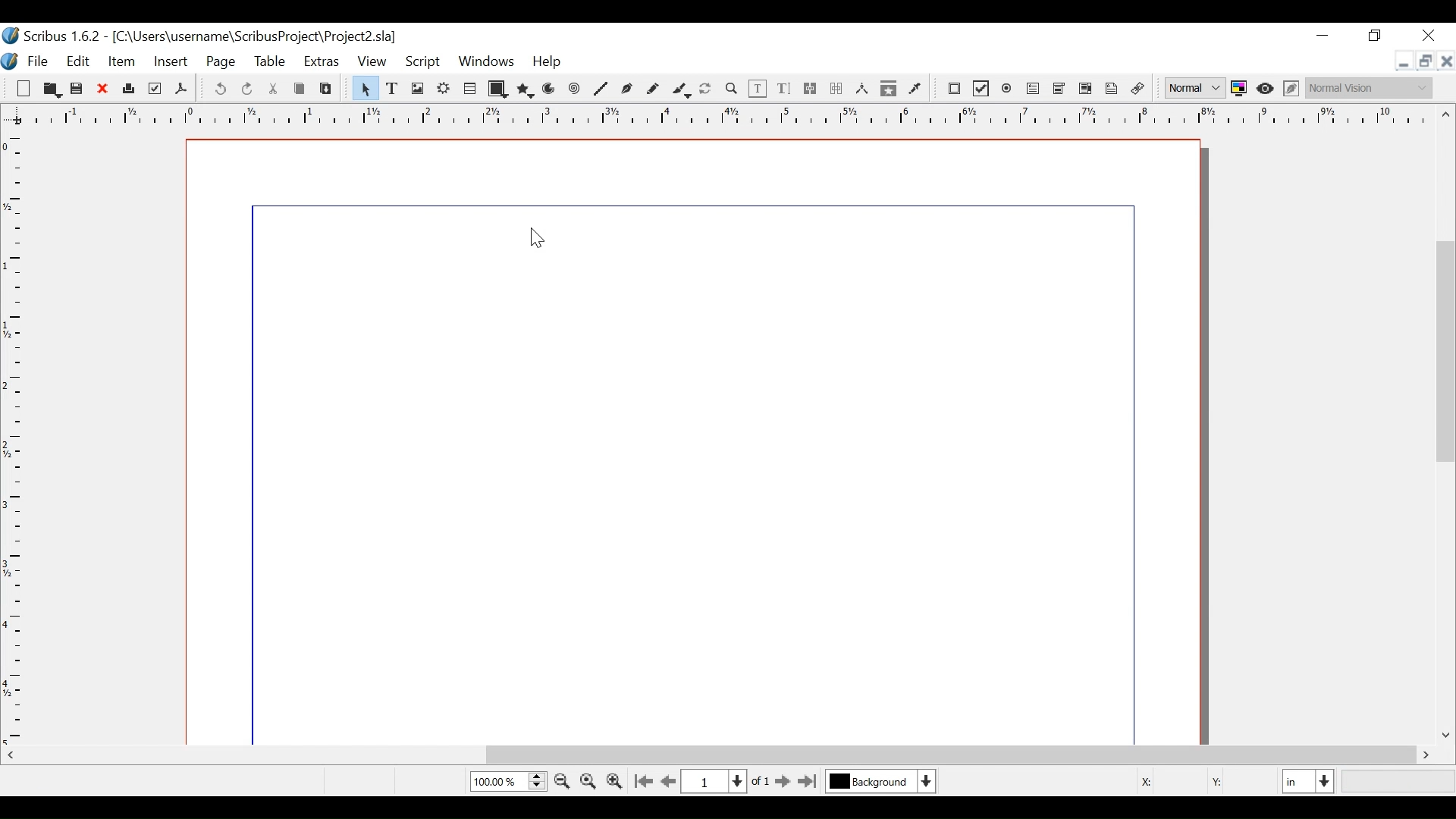  I want to click on View, so click(370, 63).